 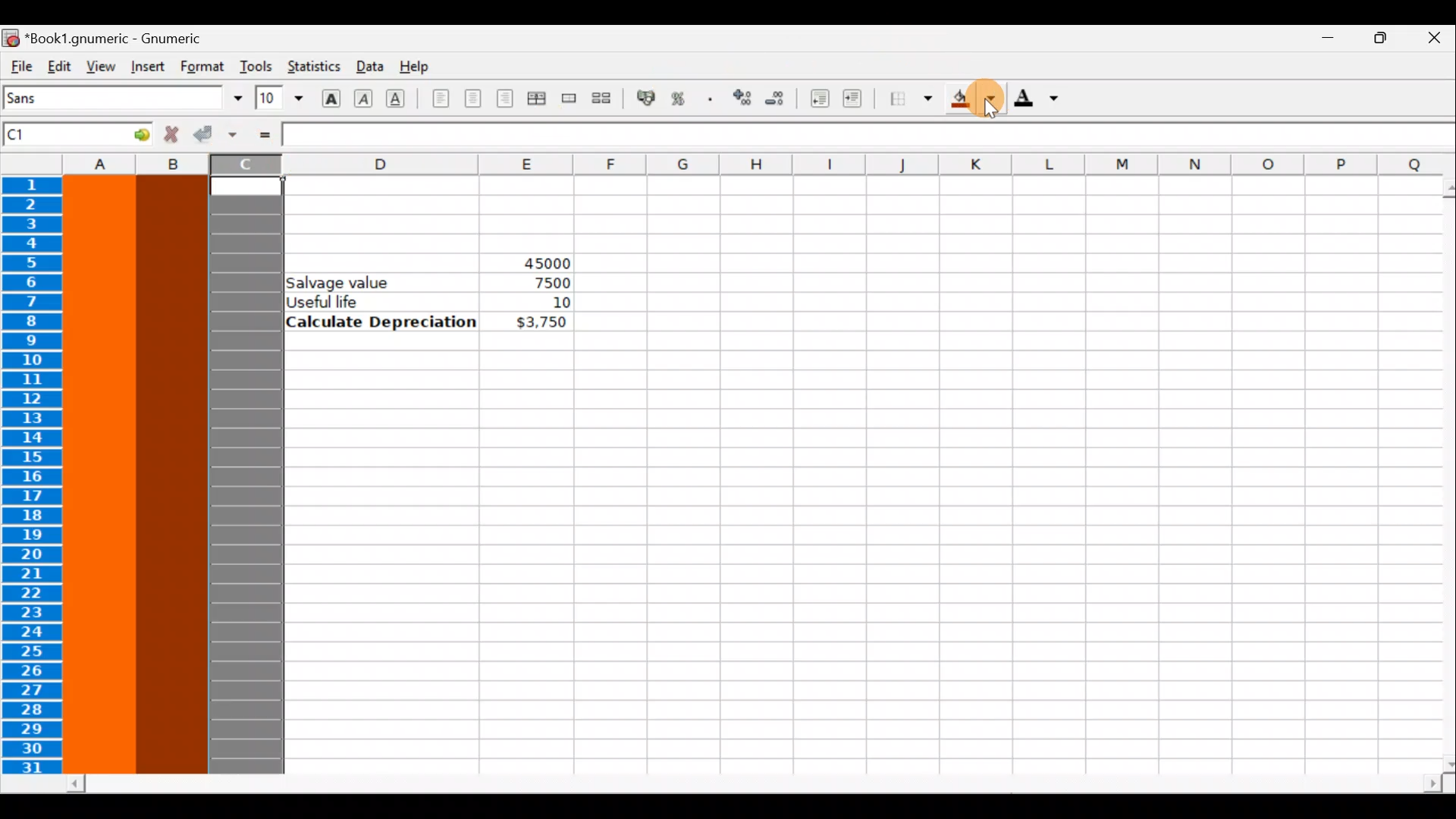 I want to click on $3,750, so click(x=540, y=323).